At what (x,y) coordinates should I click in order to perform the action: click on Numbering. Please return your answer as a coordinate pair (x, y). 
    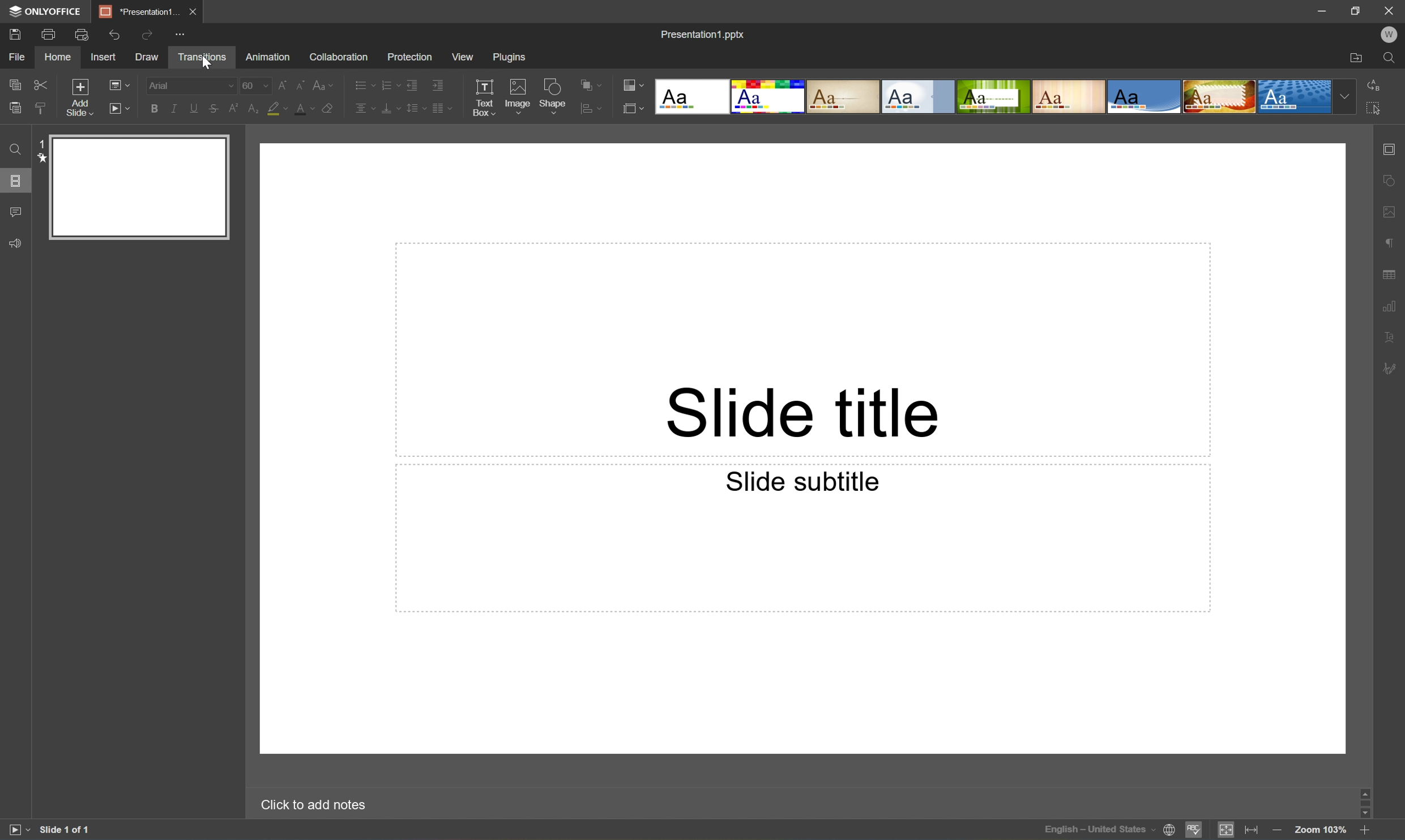
    Looking at the image, I should click on (392, 85).